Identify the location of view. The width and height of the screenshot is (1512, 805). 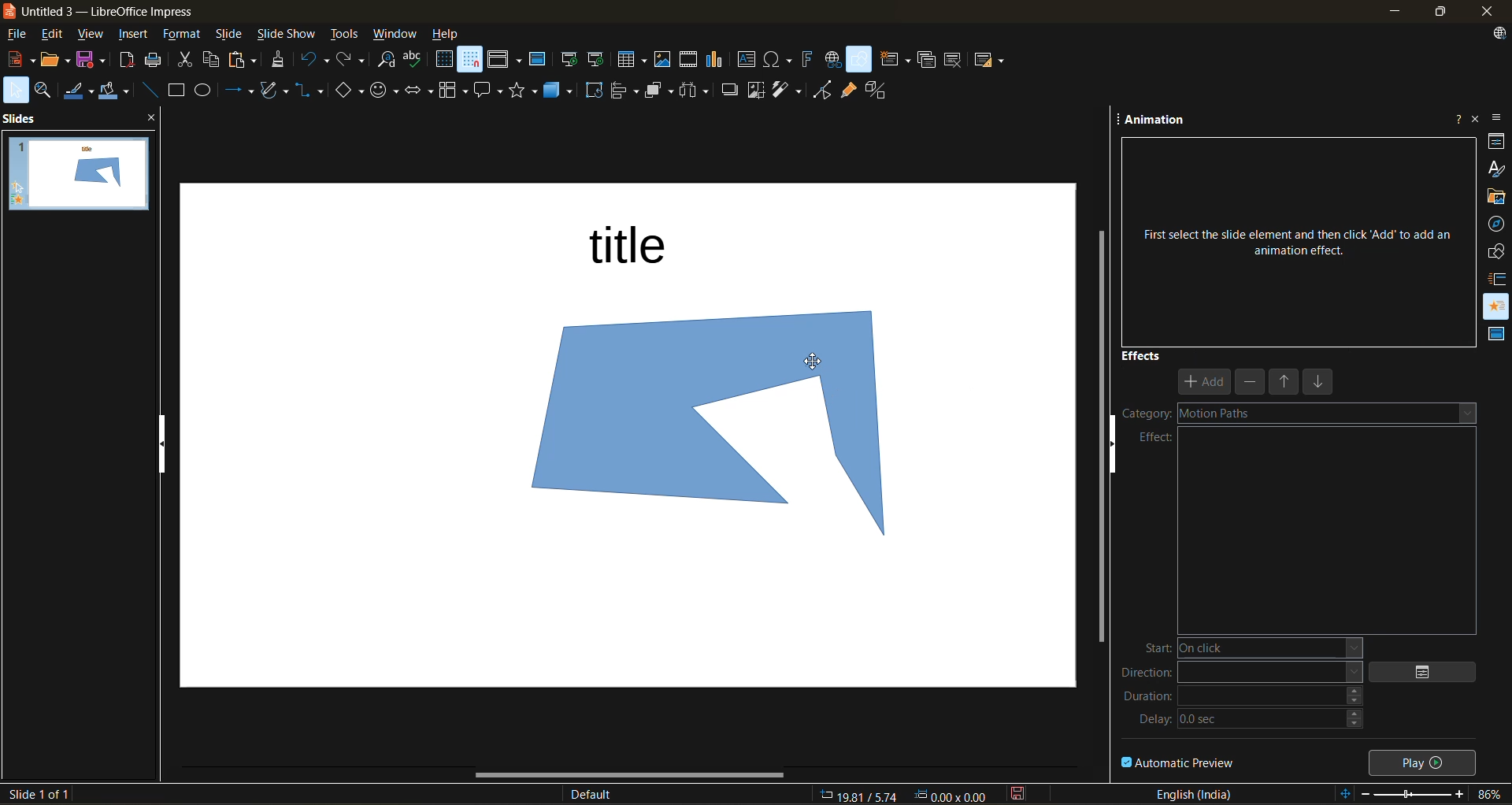
(91, 36).